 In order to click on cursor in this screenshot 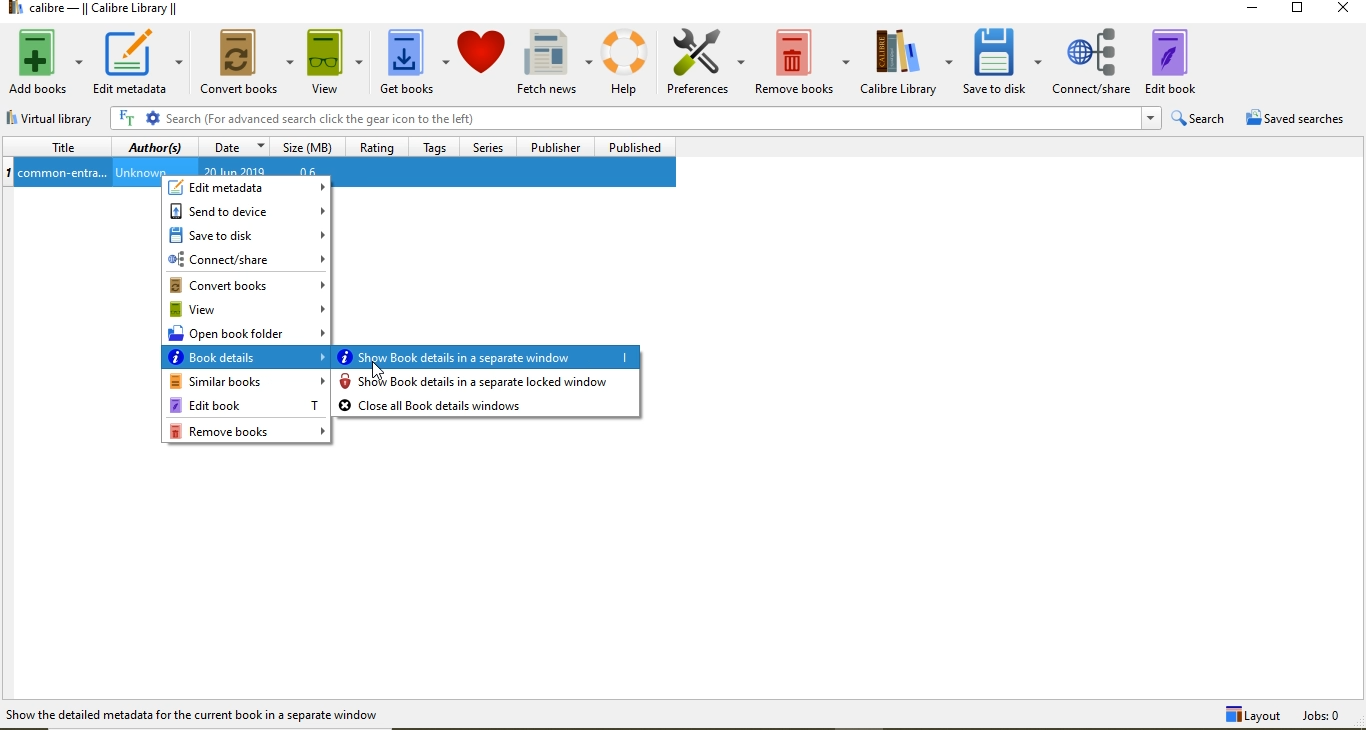, I will do `click(379, 370)`.